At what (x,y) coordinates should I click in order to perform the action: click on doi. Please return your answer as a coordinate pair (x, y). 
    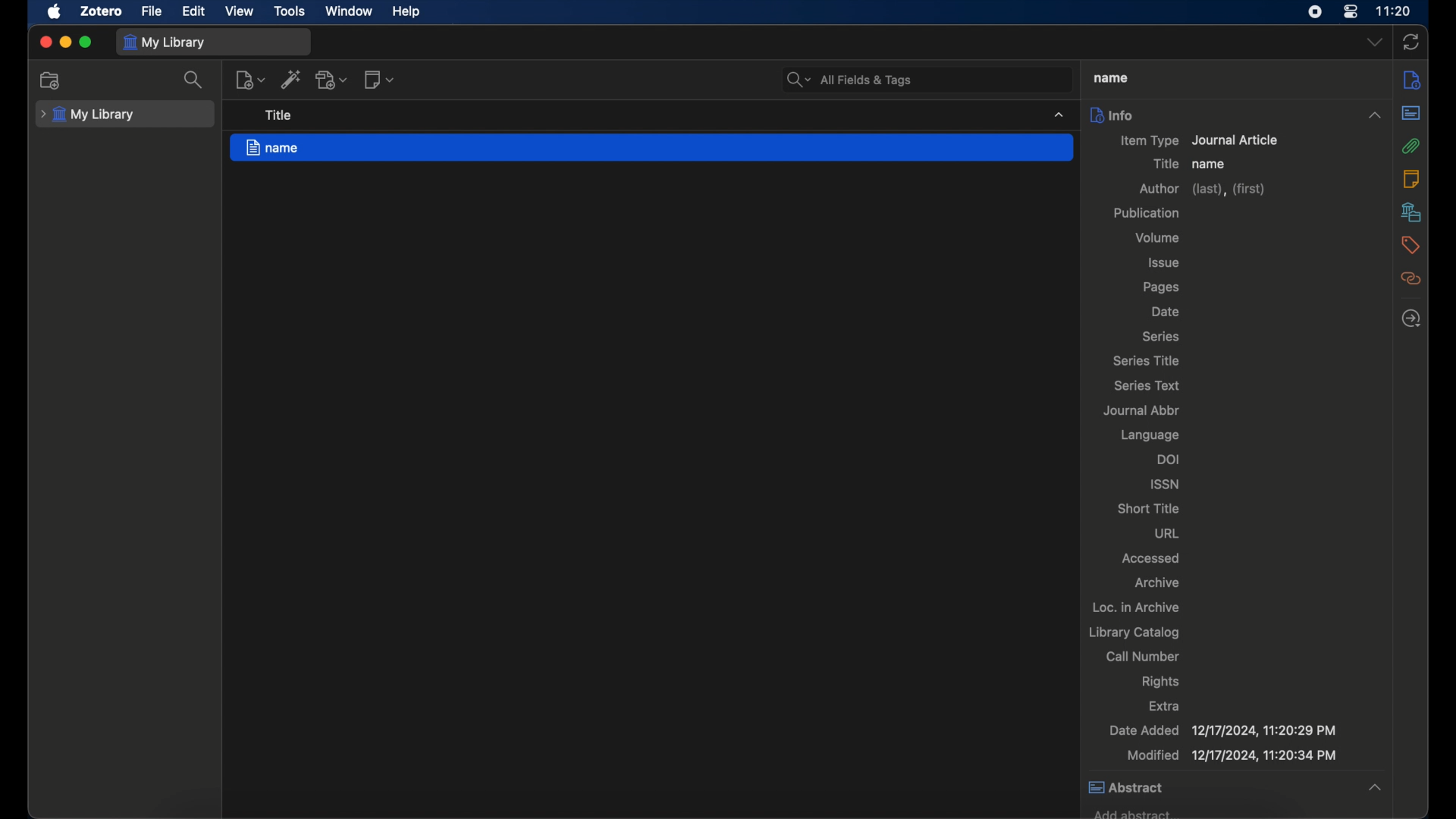
    Looking at the image, I should click on (1169, 459).